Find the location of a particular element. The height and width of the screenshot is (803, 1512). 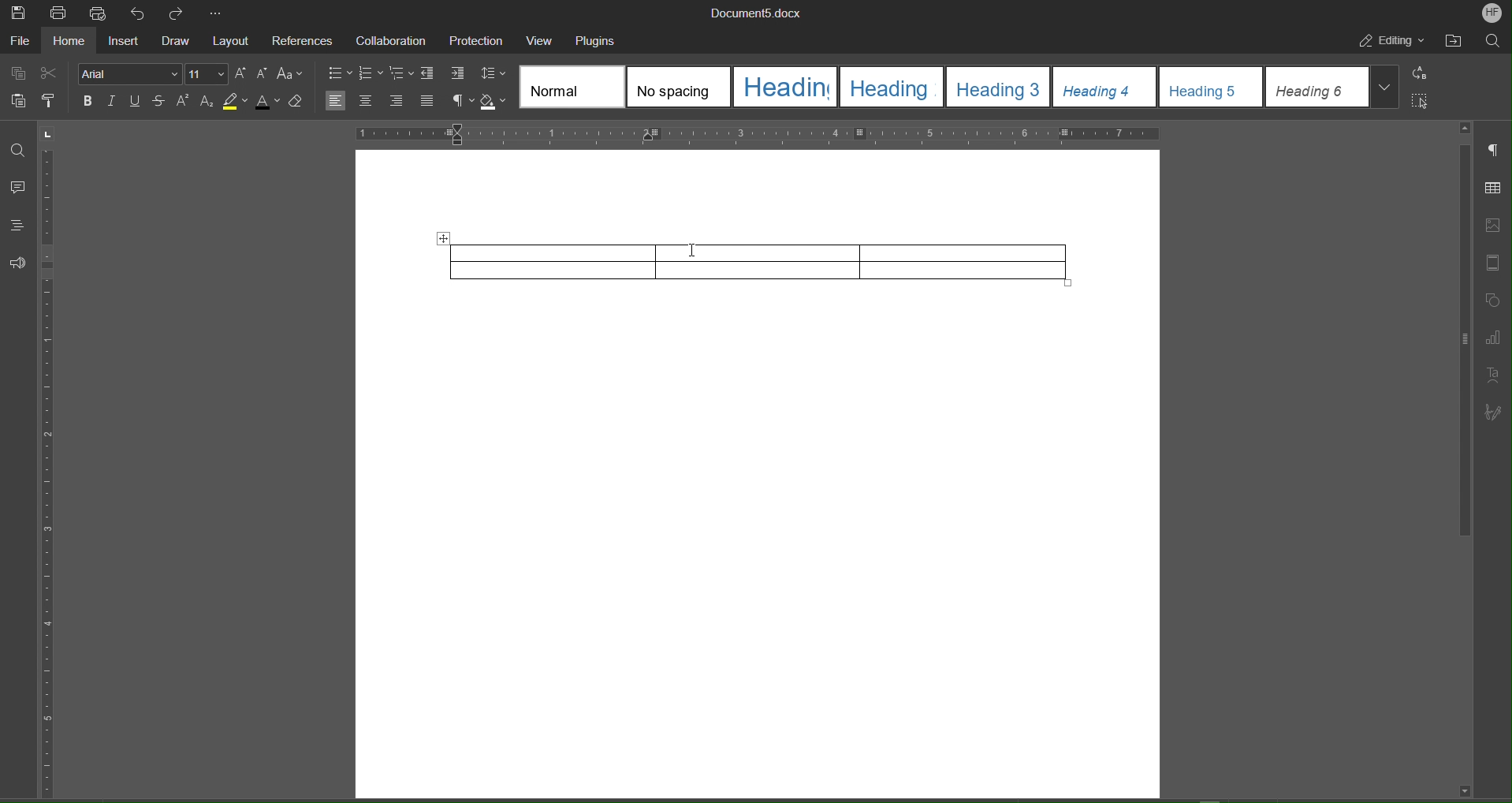

Font Size is located at coordinates (206, 74).